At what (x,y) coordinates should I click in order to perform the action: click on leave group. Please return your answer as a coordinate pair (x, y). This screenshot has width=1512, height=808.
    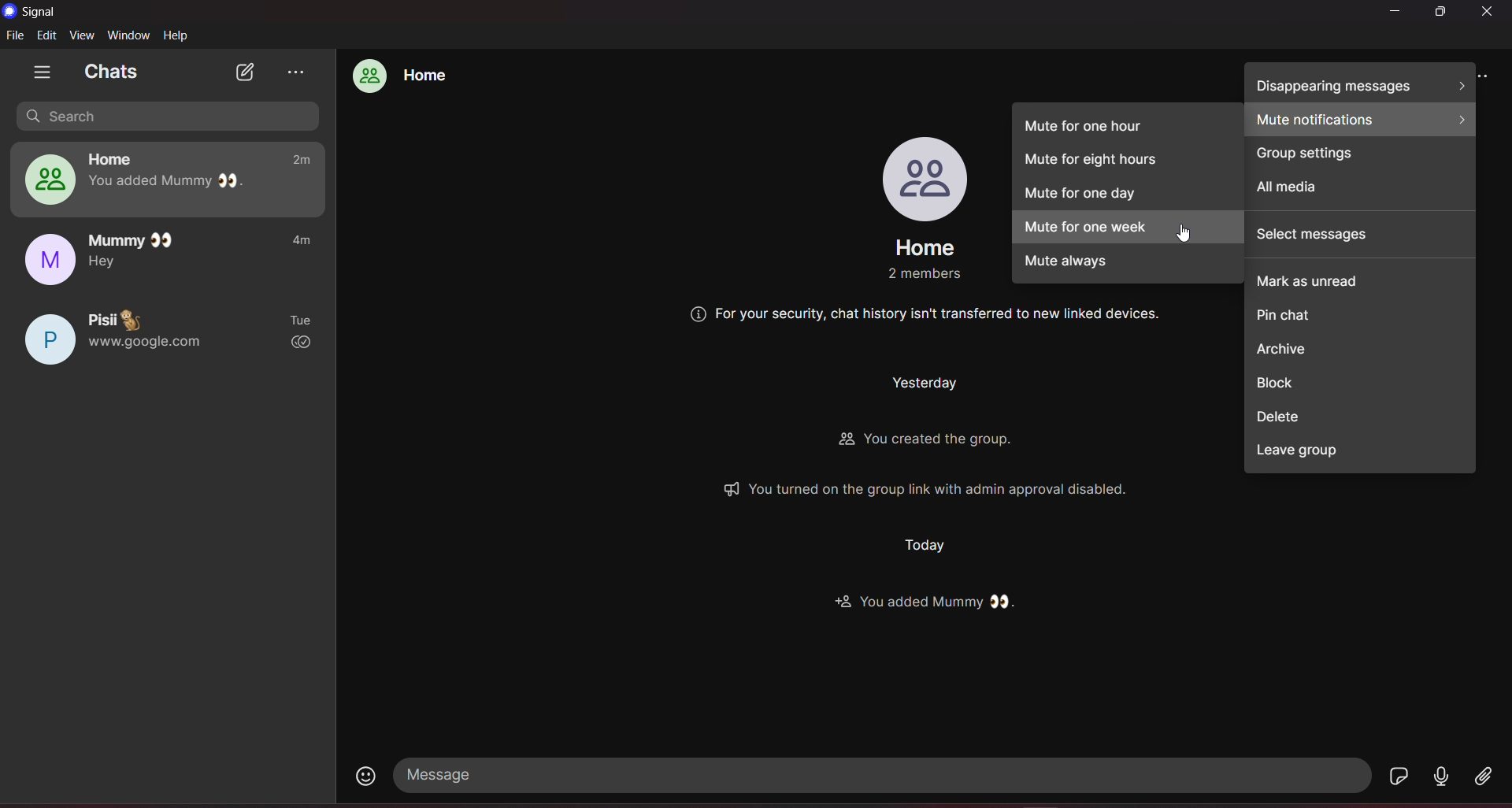
    Looking at the image, I should click on (1359, 460).